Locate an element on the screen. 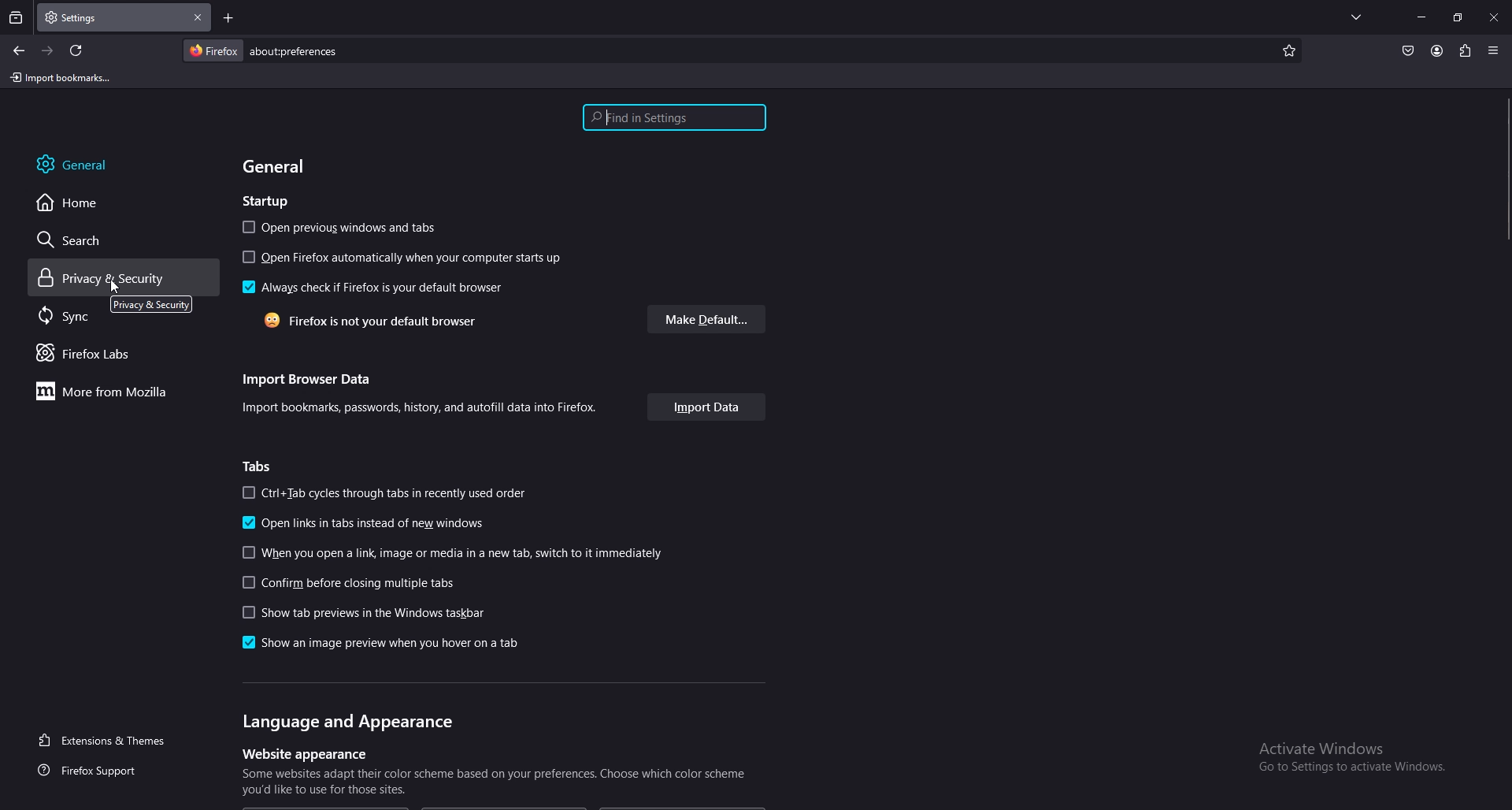 This screenshot has height=810, width=1512. forward is located at coordinates (49, 51).